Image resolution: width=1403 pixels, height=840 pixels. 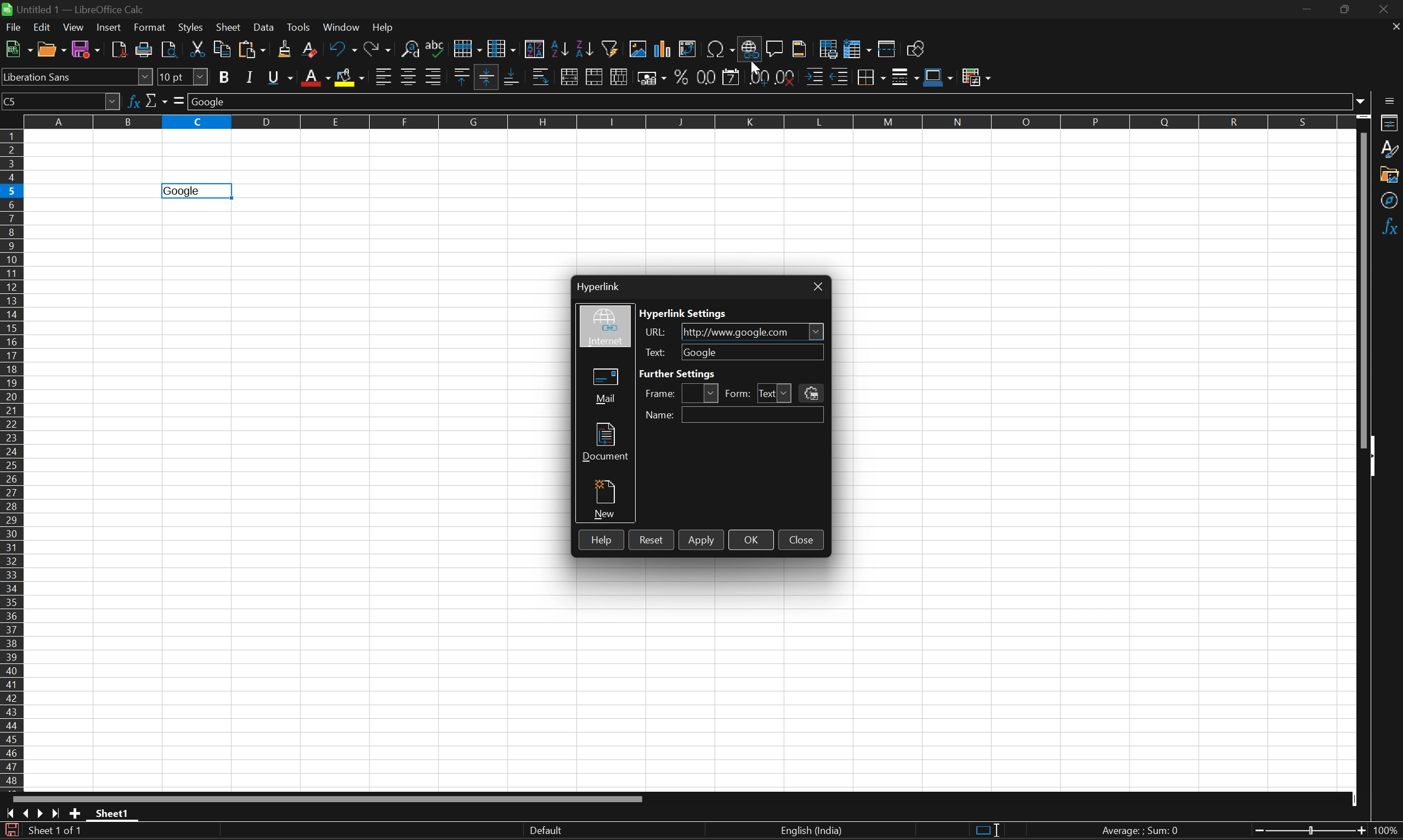 I want to click on OK, so click(x=751, y=540).